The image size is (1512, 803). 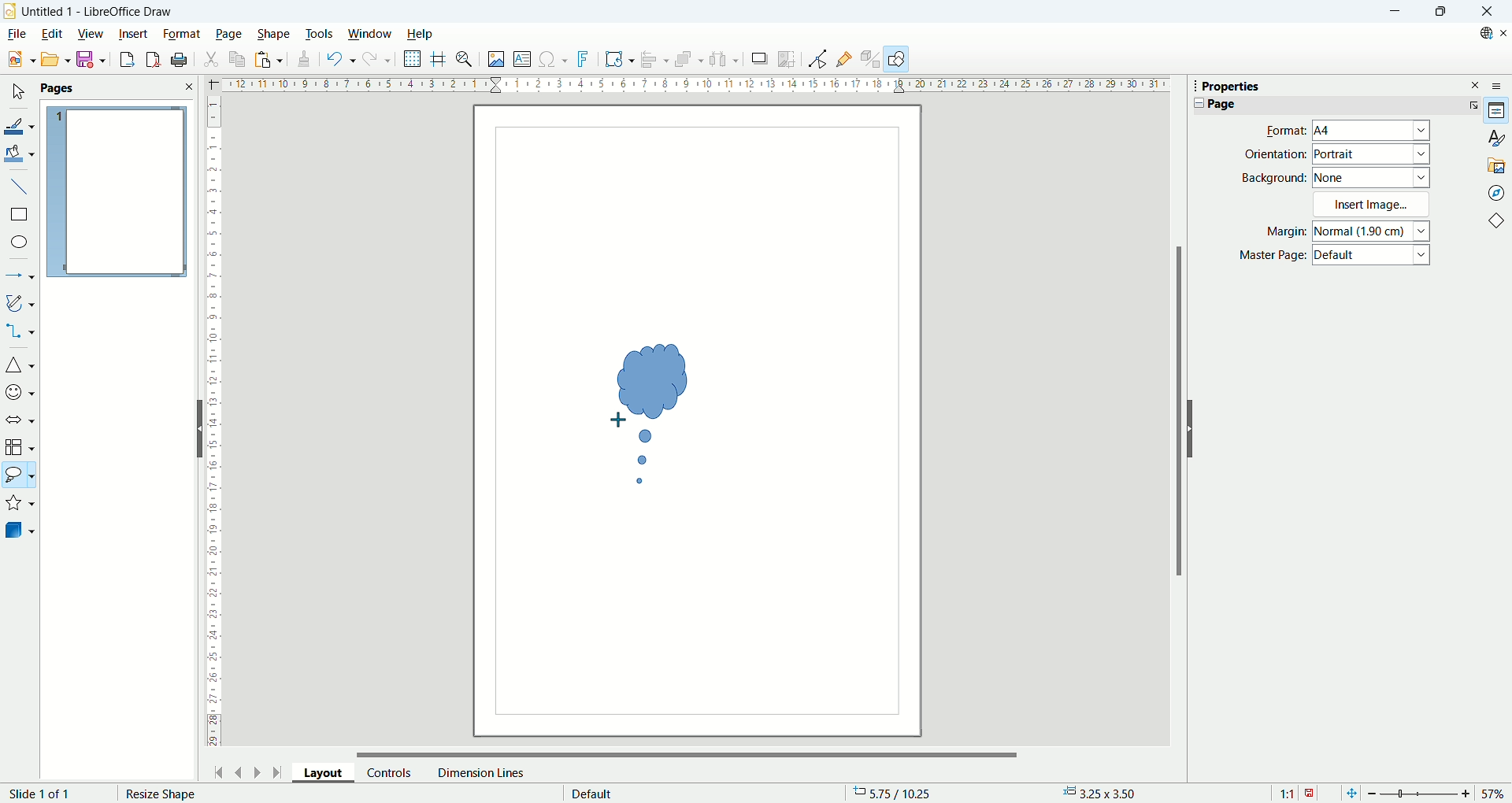 I want to click on copy, so click(x=238, y=59).